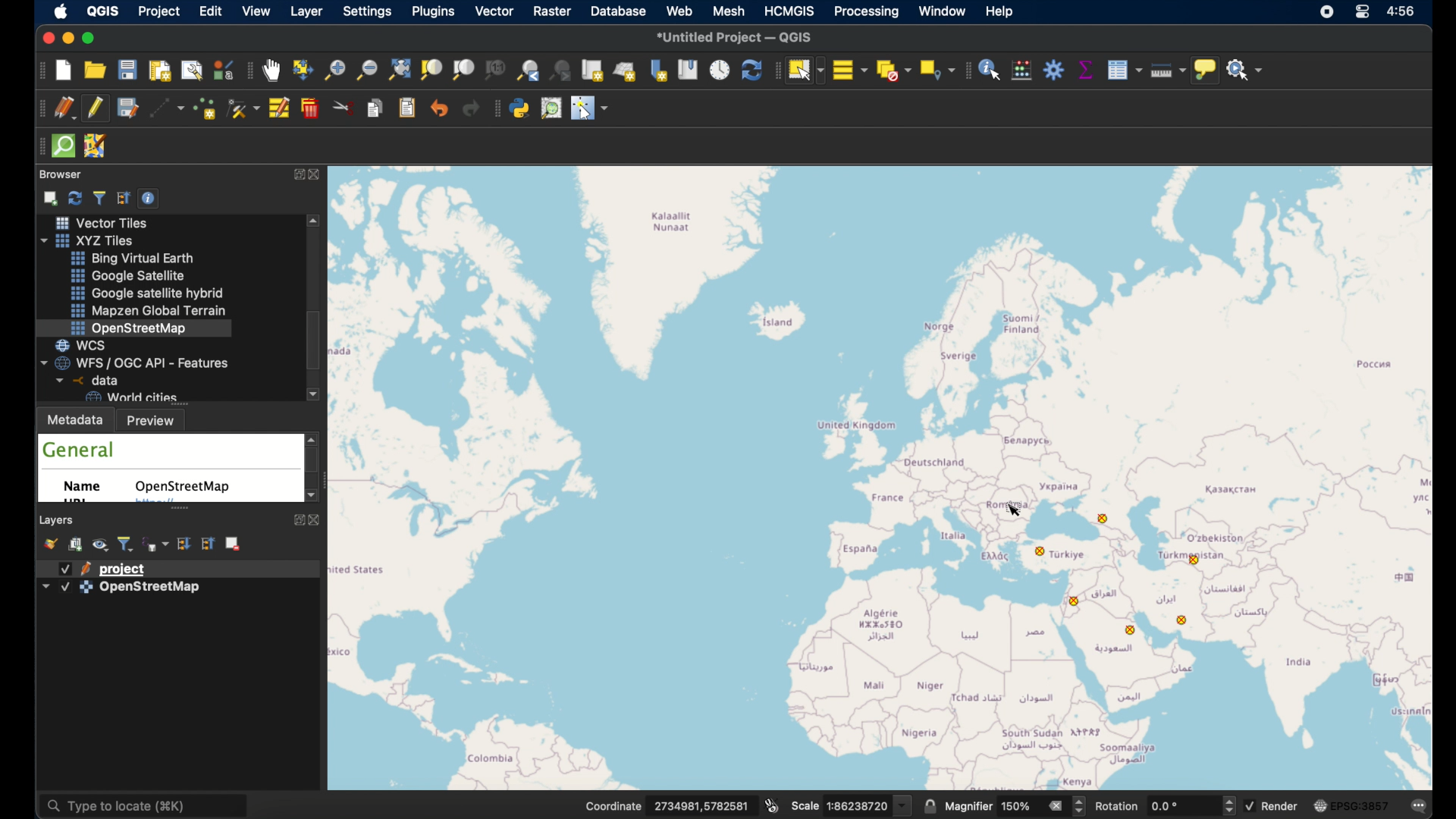  I want to click on xyzzy tiles, so click(94, 240).